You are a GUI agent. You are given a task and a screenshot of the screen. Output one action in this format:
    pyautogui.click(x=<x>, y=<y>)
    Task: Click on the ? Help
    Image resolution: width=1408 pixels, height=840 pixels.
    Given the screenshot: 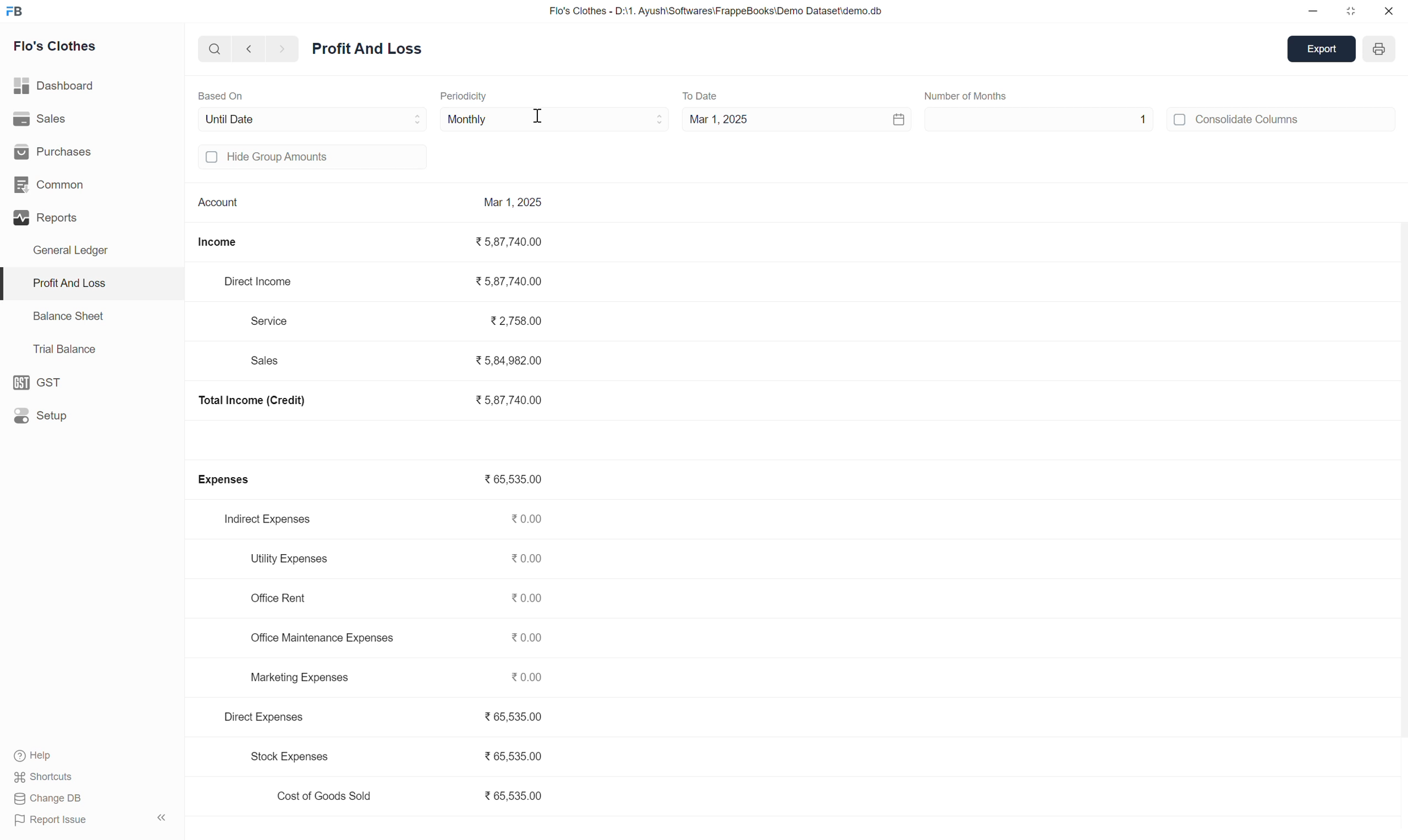 What is the action you would take?
    pyautogui.click(x=41, y=752)
    